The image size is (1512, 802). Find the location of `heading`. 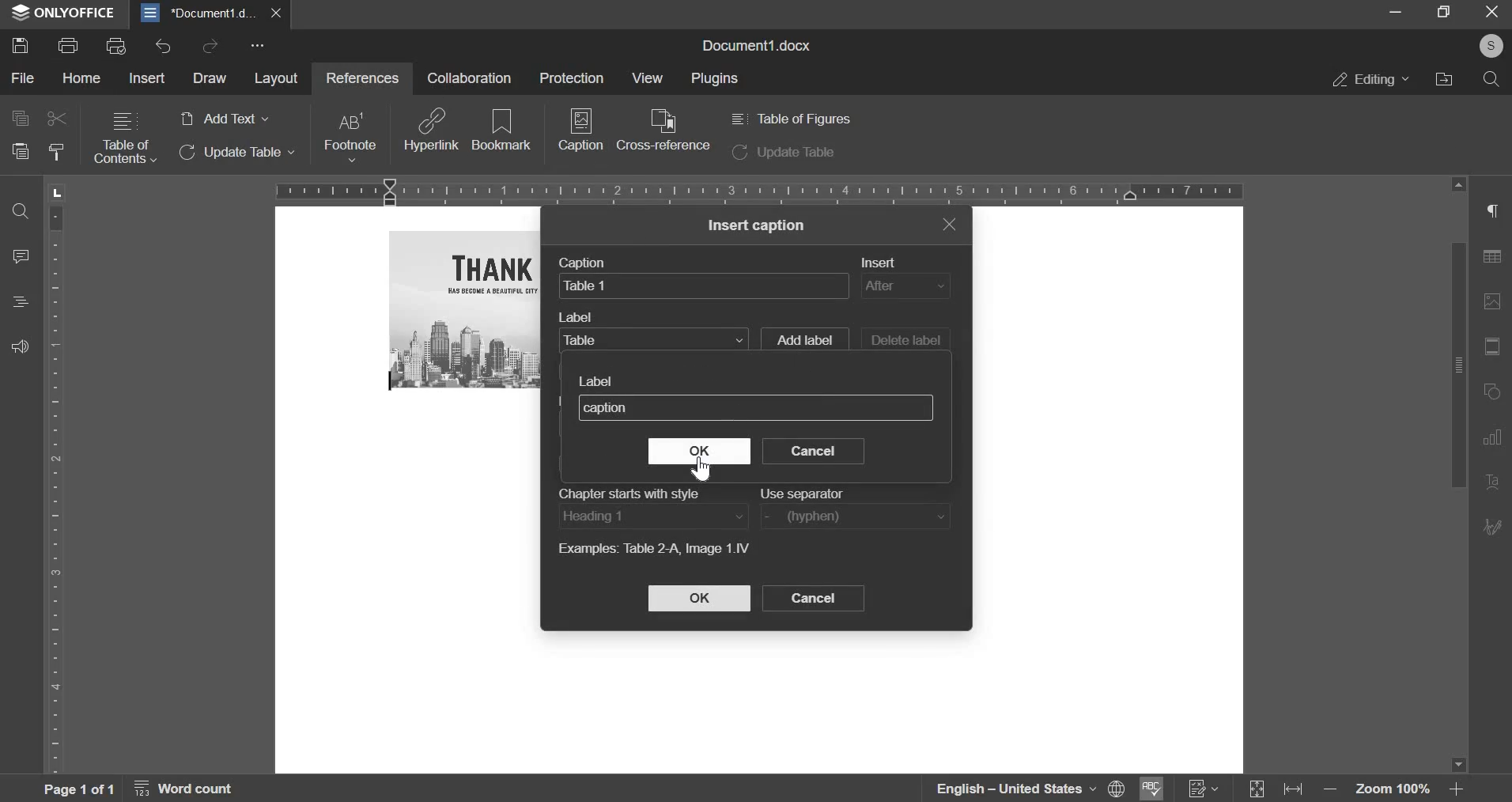

heading is located at coordinates (652, 516).